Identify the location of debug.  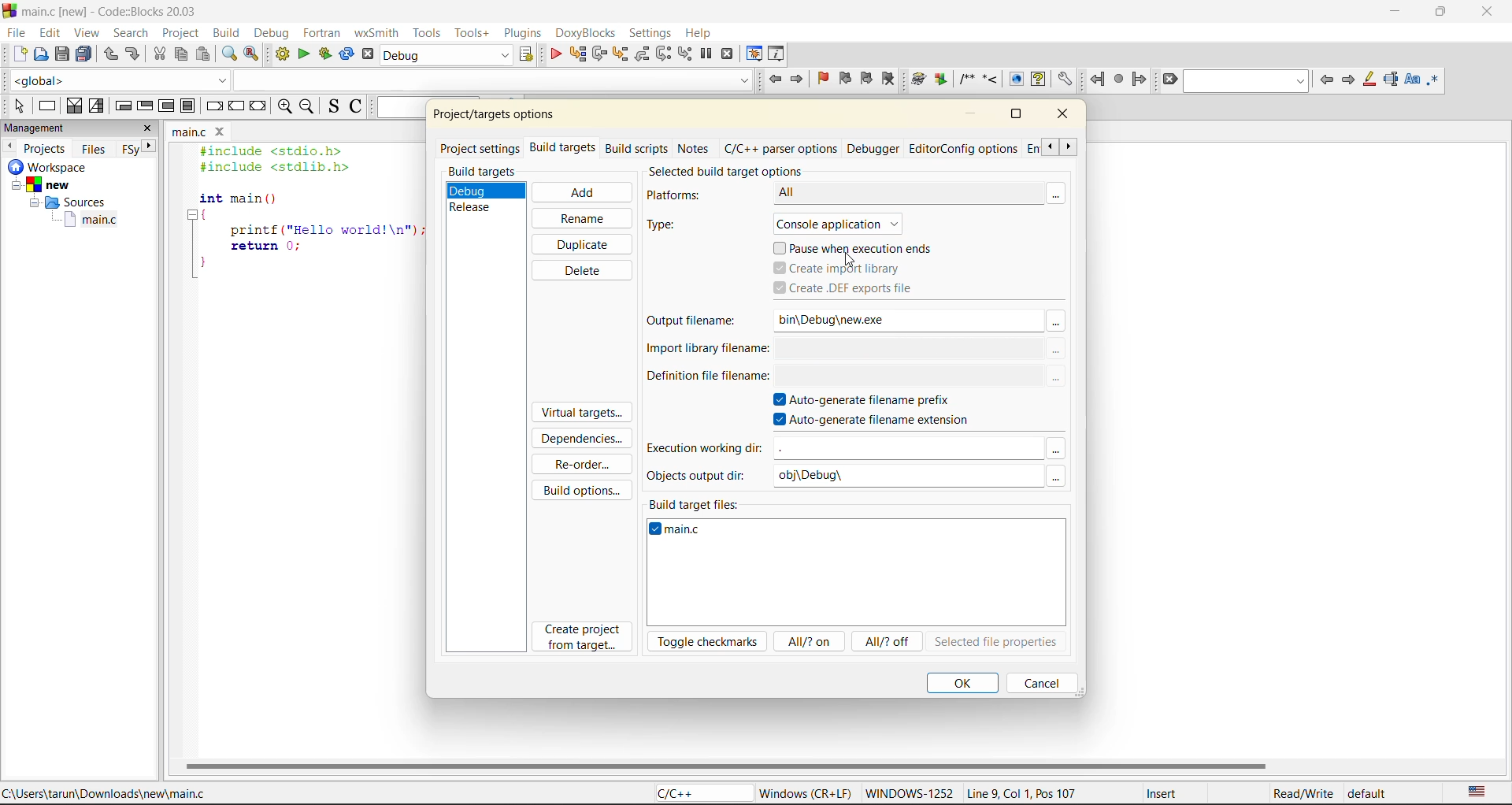
(475, 189).